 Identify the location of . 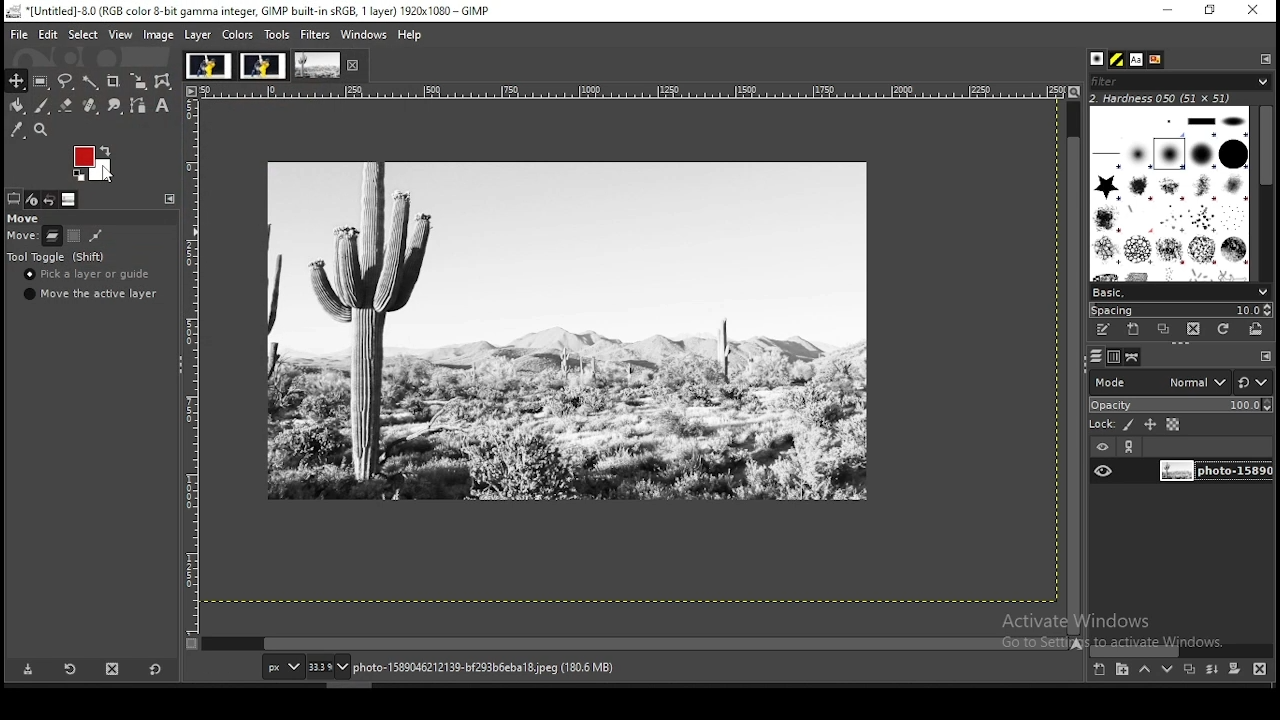
(504, 667).